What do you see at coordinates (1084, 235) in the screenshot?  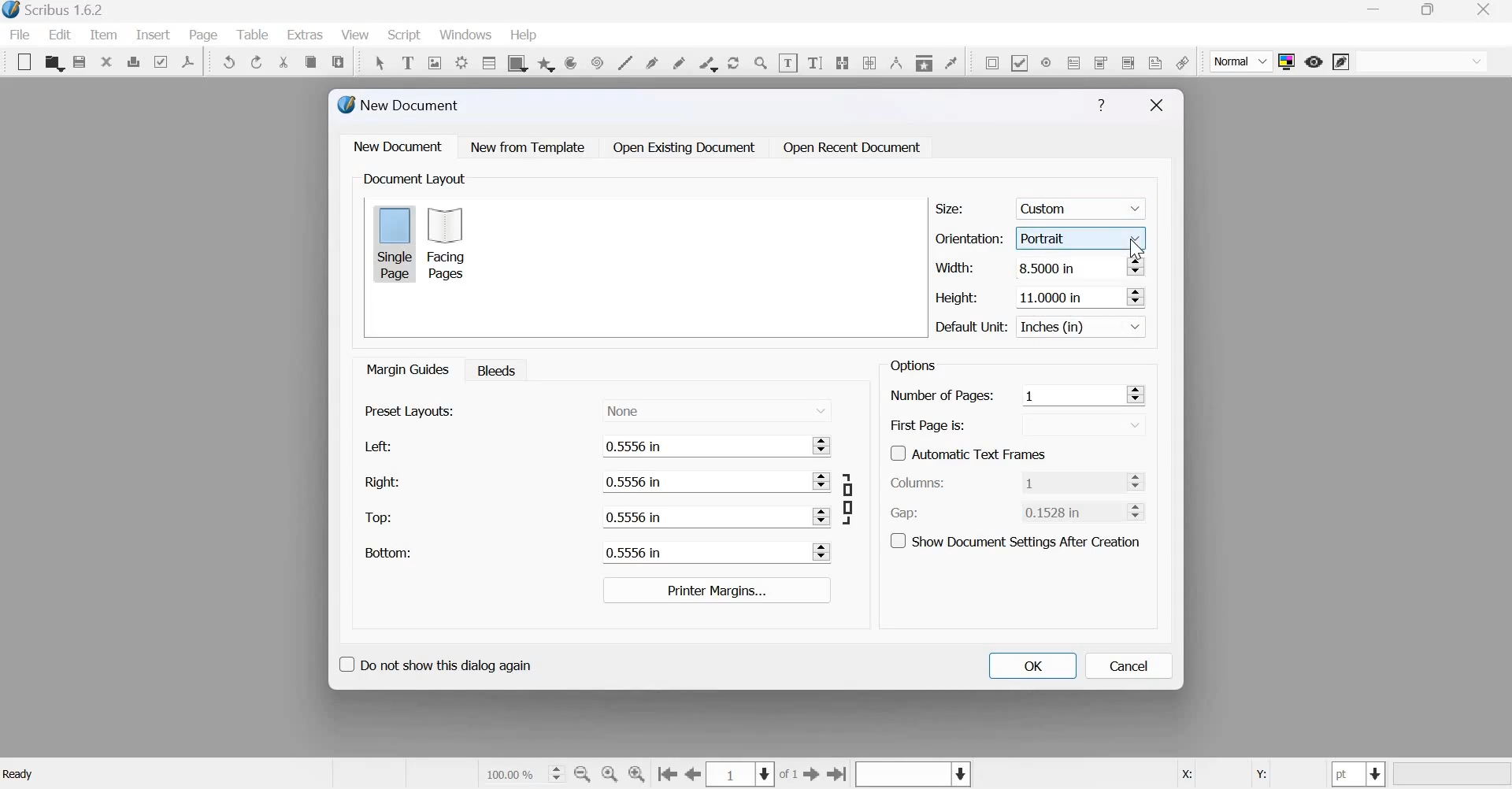 I see `Potrait` at bounding box center [1084, 235].